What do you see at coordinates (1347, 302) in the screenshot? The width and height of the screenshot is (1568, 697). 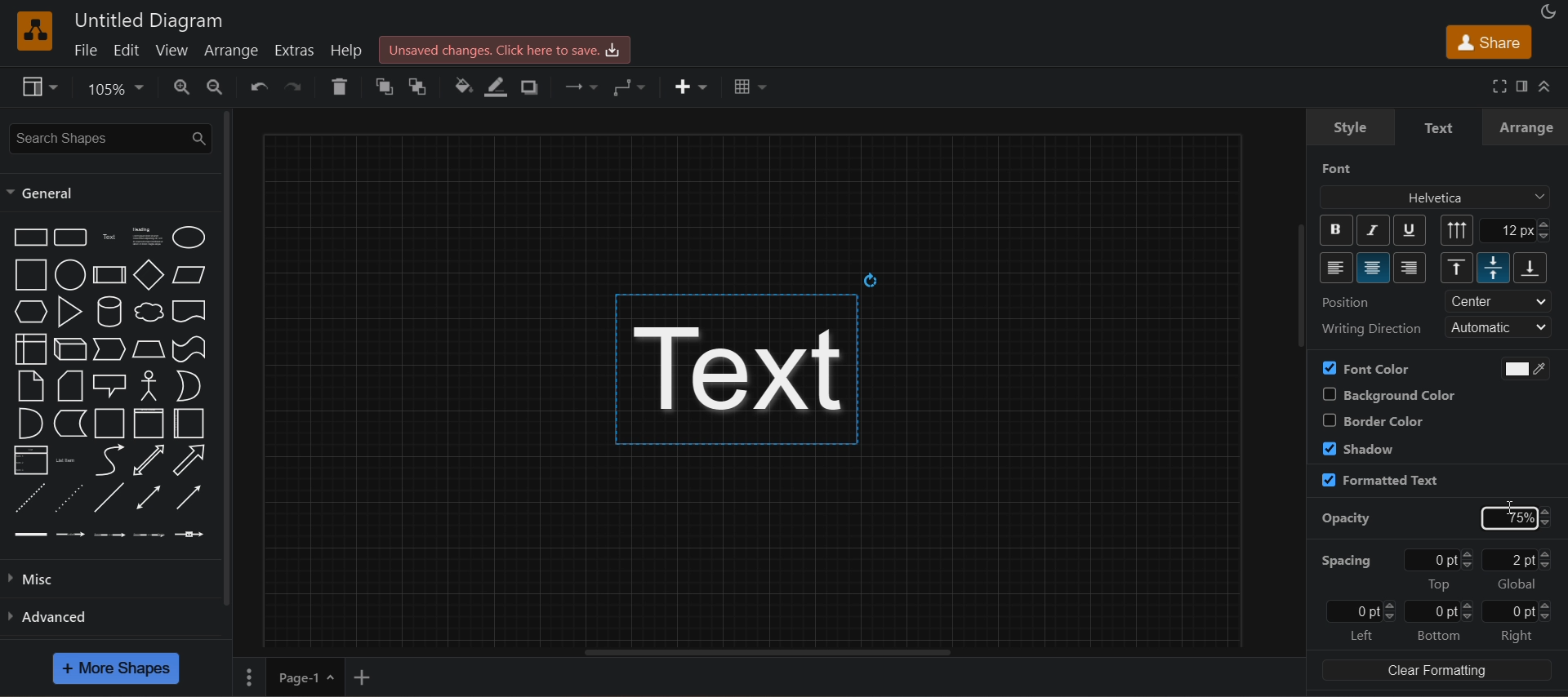 I see `position` at bounding box center [1347, 302].